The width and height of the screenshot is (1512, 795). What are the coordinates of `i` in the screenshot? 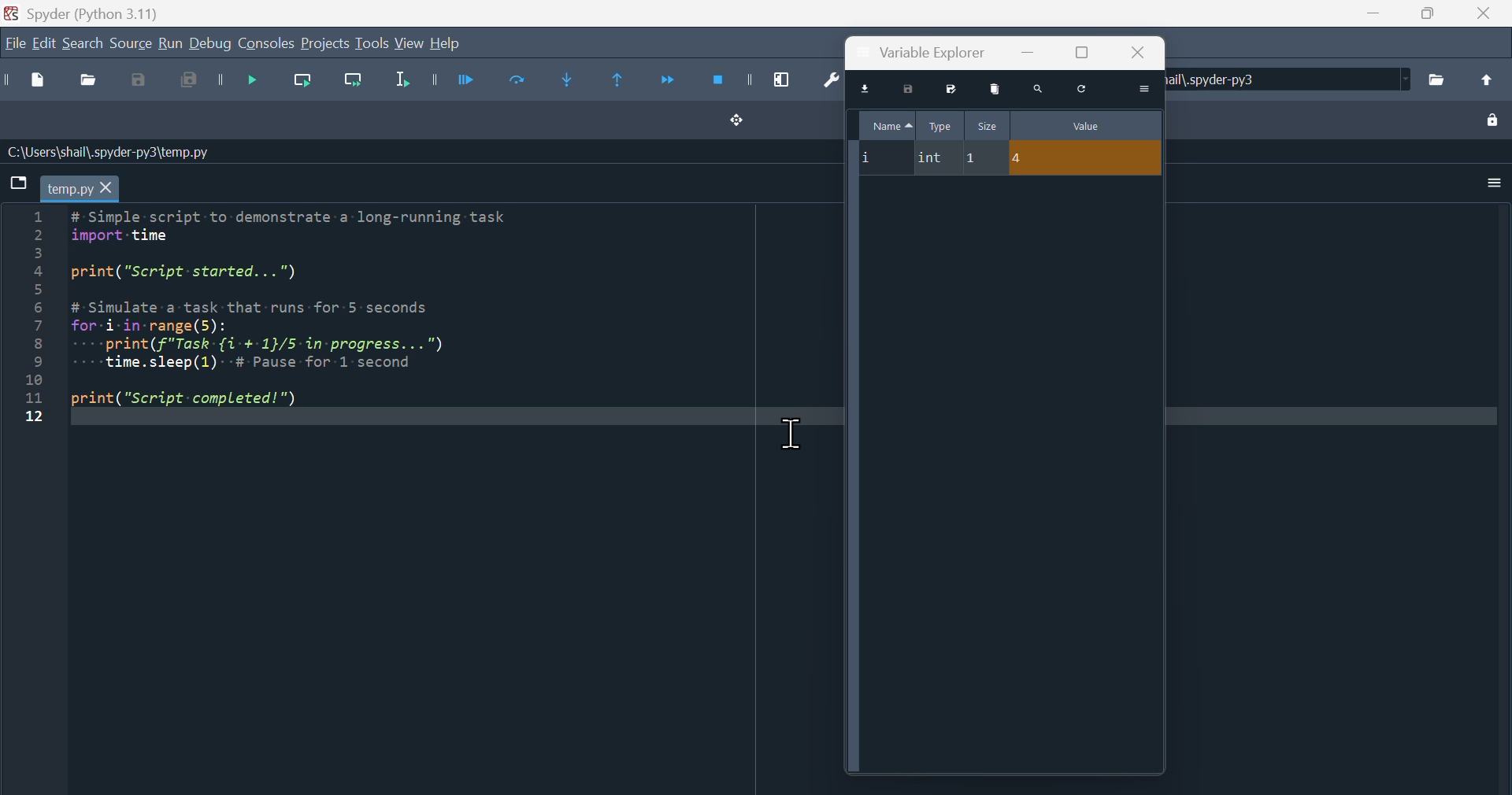 It's located at (882, 155).